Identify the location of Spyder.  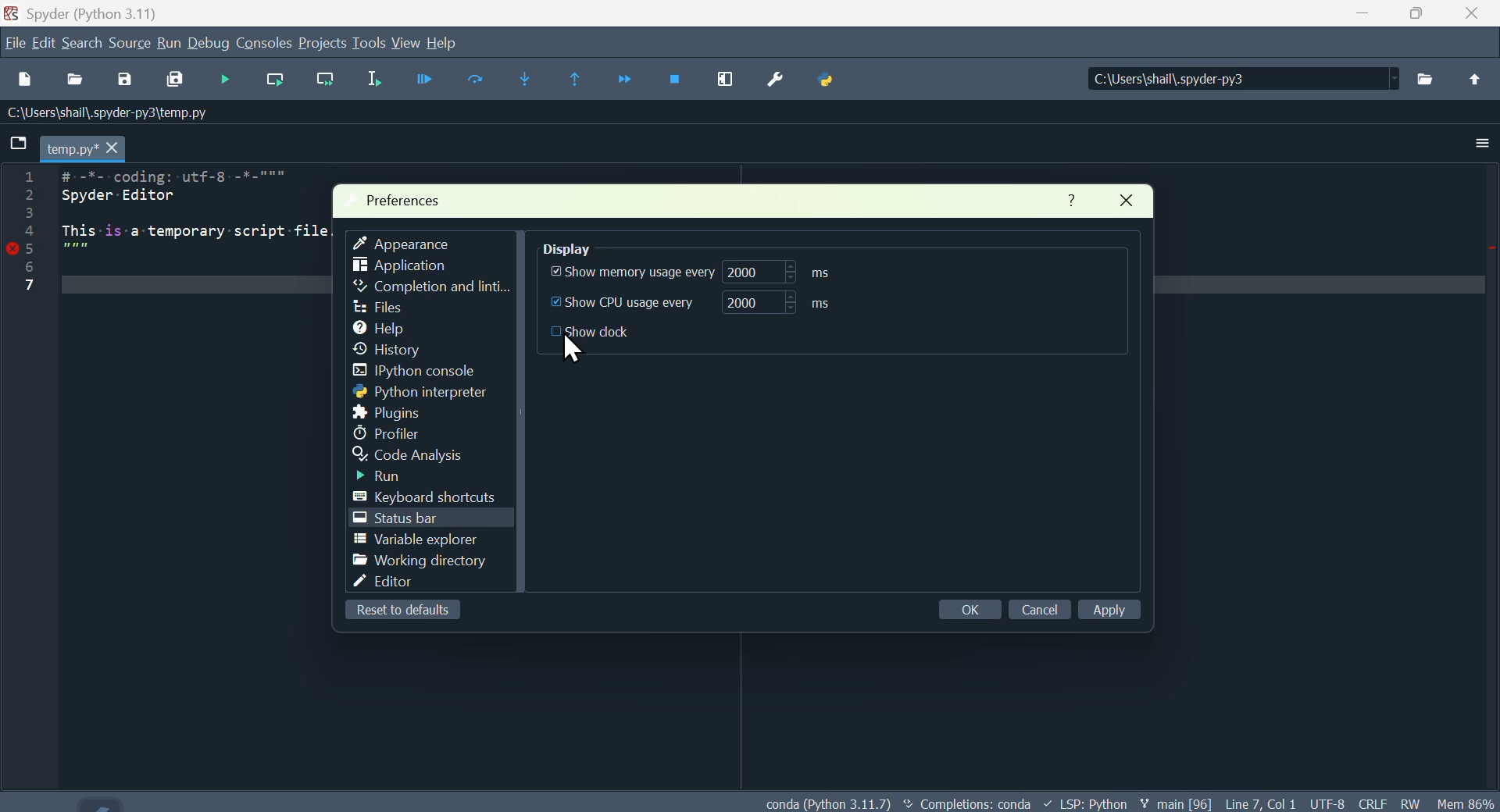
(99, 12).